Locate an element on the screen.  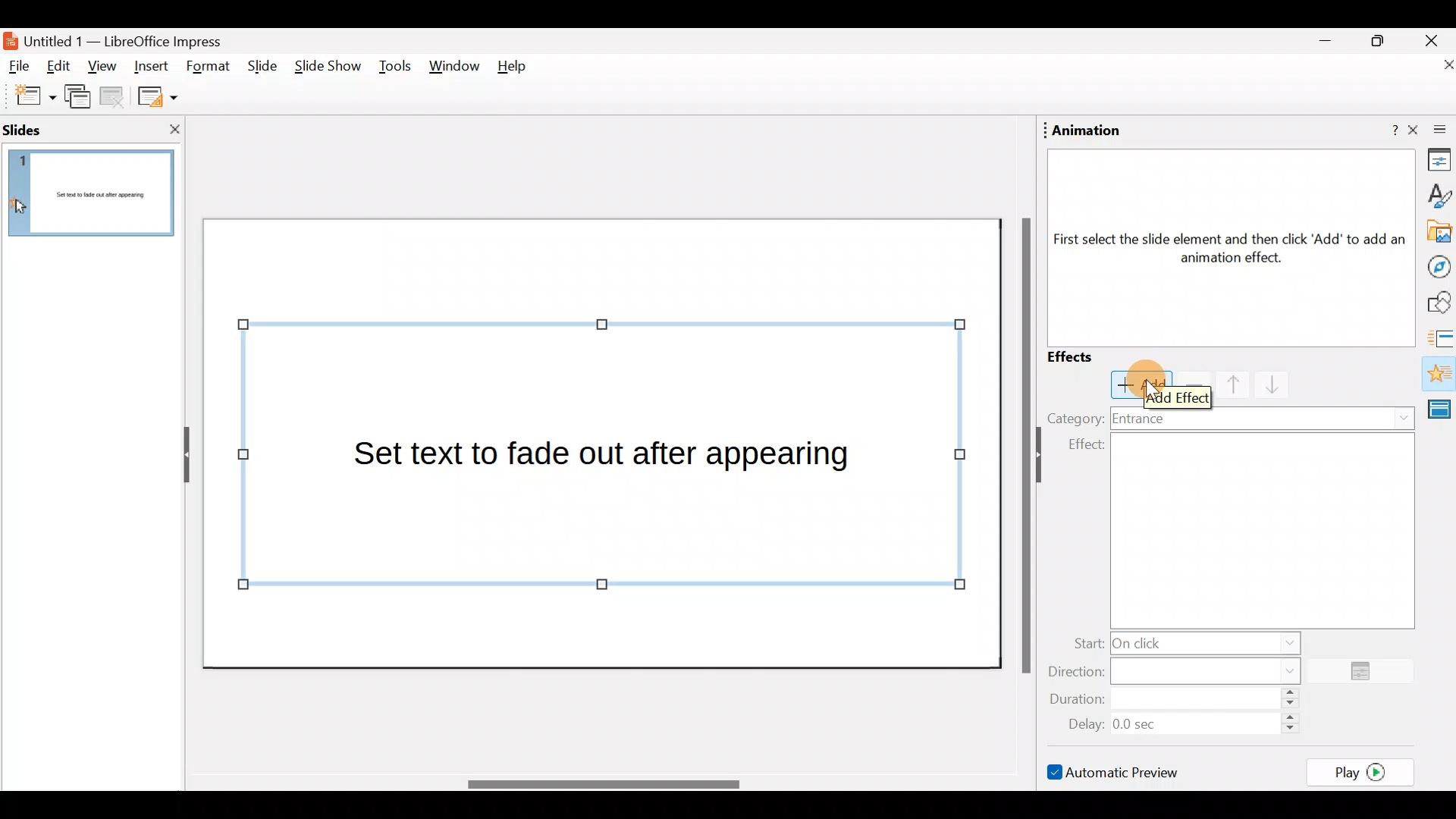
Document name is located at coordinates (124, 39).